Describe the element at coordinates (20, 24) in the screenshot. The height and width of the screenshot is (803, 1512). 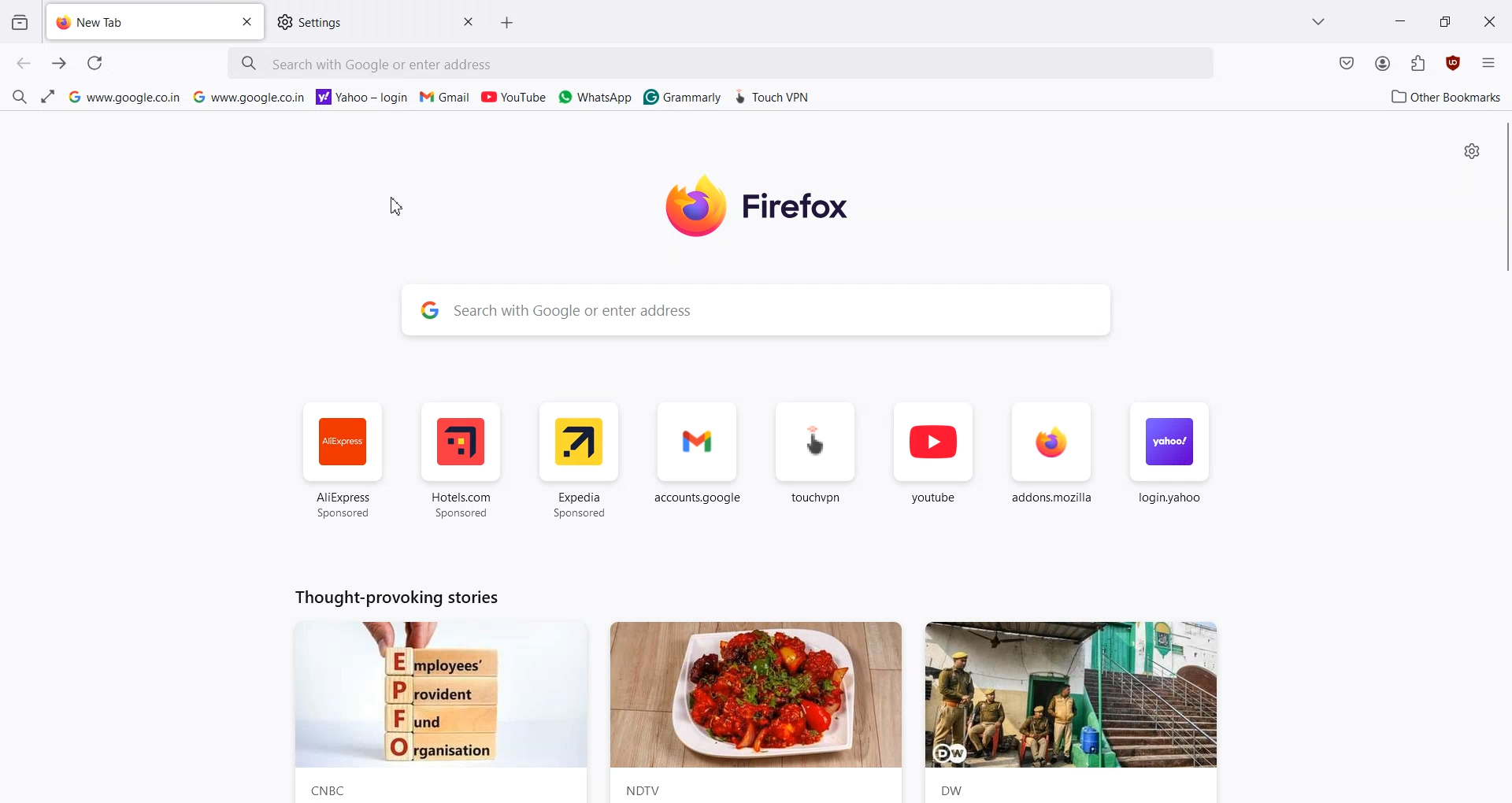
I see `View Recent browsing` at that location.